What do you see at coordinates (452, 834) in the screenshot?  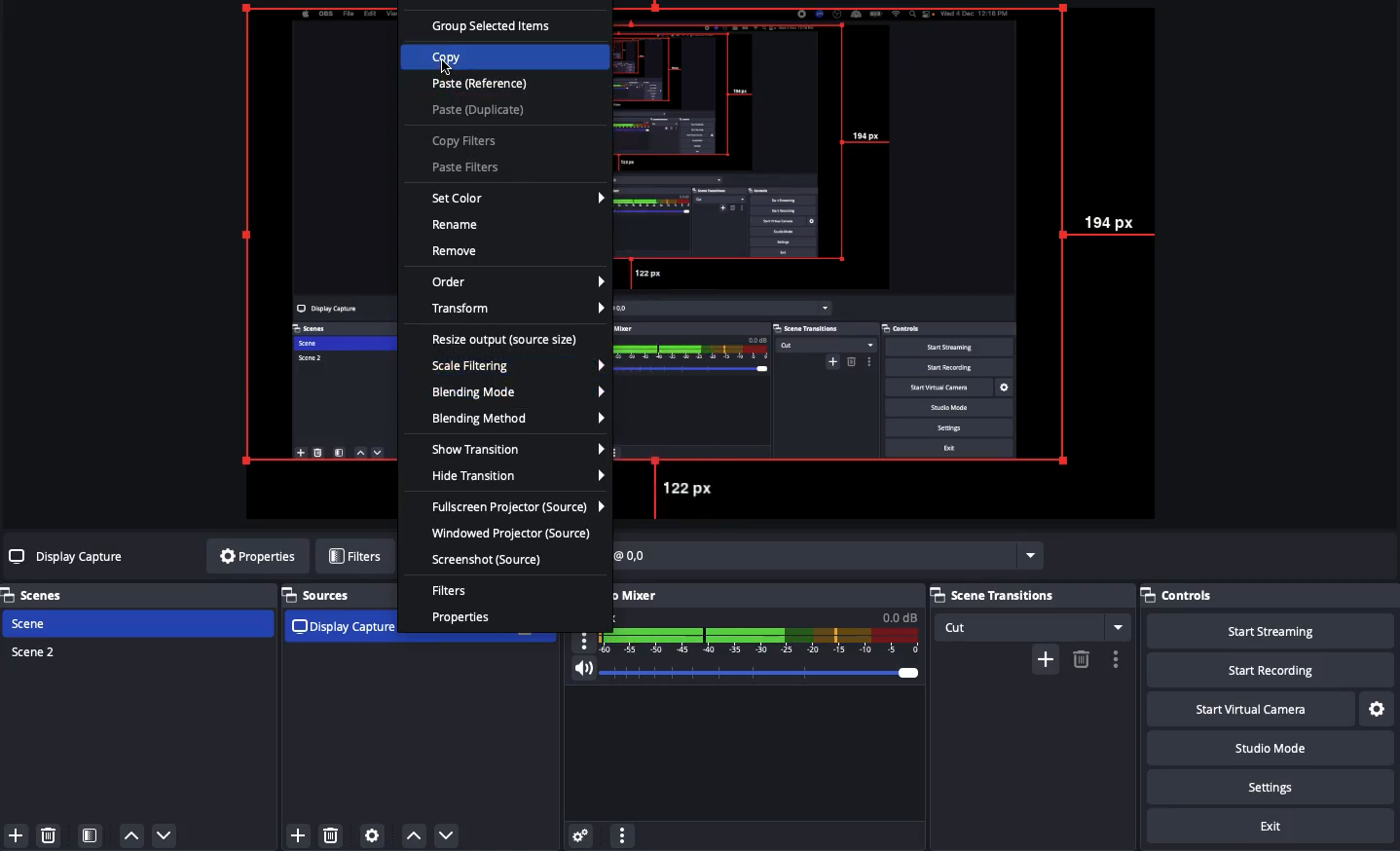 I see `next` at bounding box center [452, 834].